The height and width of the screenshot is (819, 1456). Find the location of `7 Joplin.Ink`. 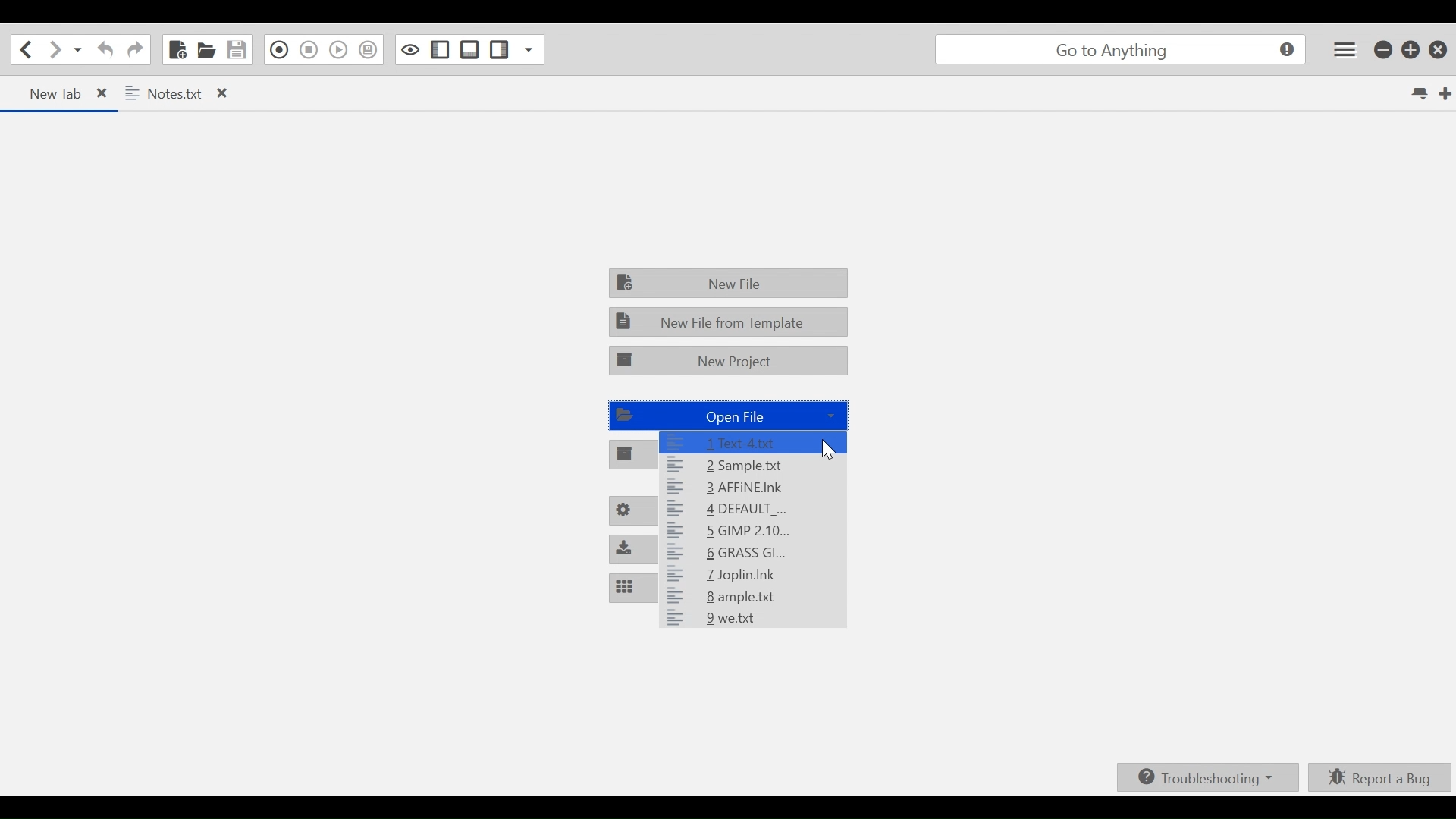

7 Joplin.Ink is located at coordinates (755, 576).